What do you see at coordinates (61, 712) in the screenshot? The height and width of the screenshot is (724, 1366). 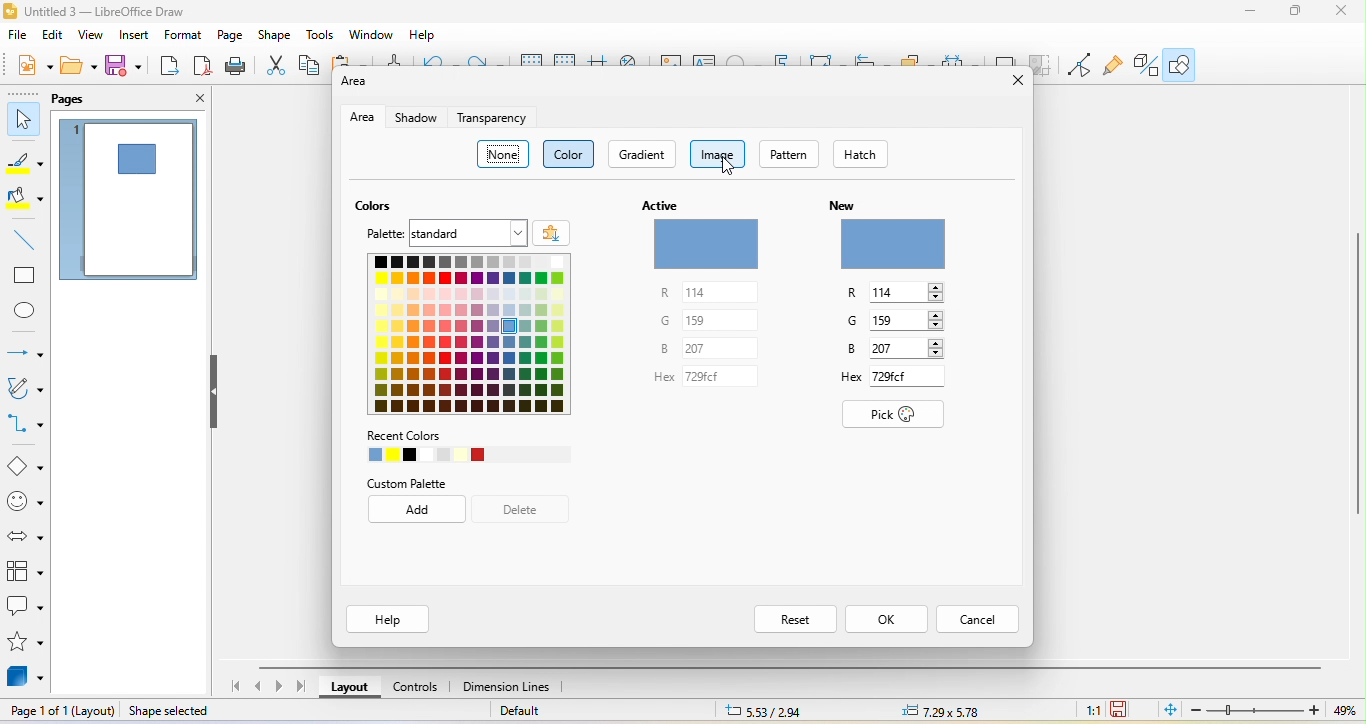 I see `page 1 of 1 (layout)` at bounding box center [61, 712].